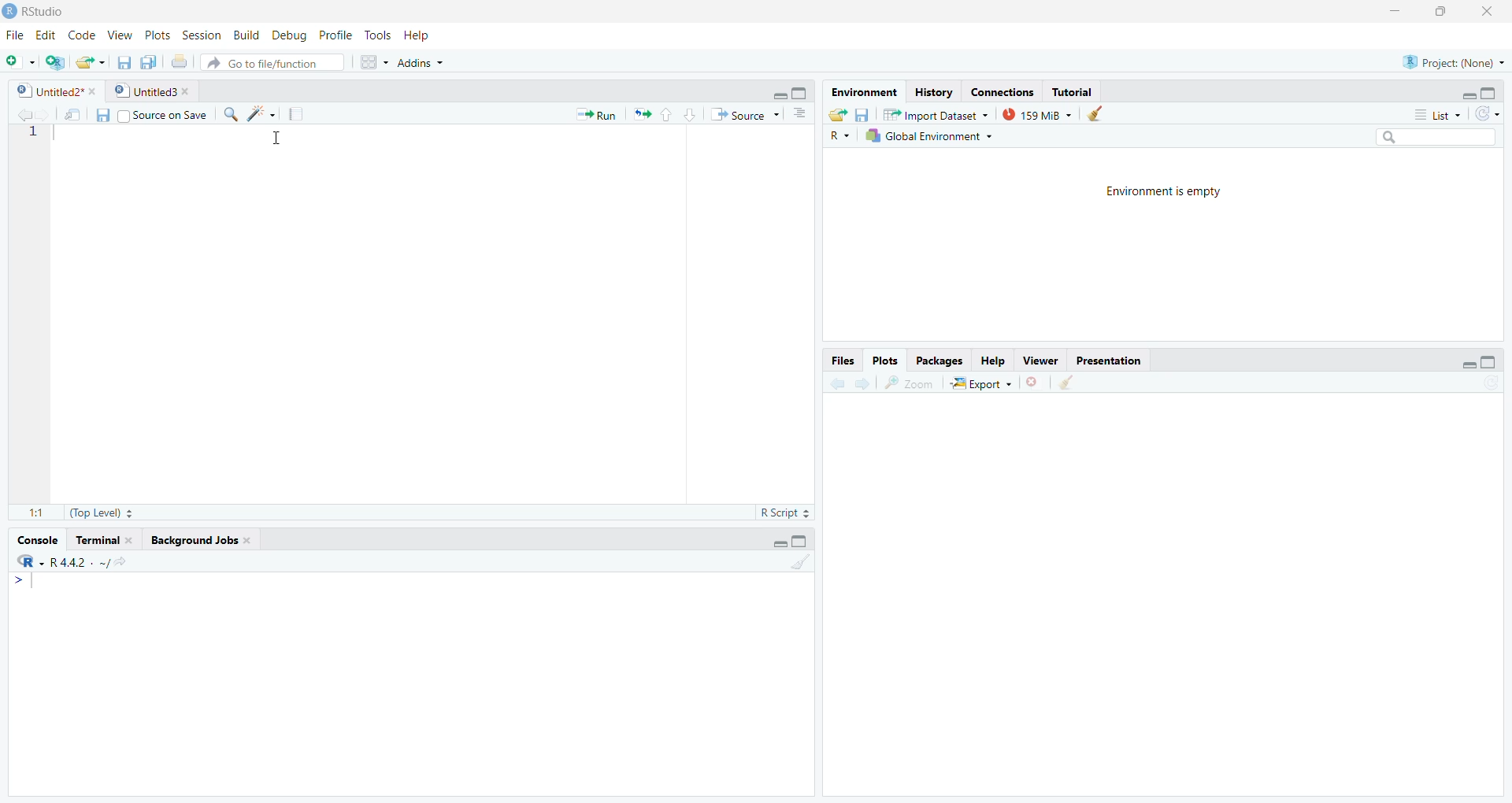  Describe the element at coordinates (690, 115) in the screenshot. I see `down` at that location.